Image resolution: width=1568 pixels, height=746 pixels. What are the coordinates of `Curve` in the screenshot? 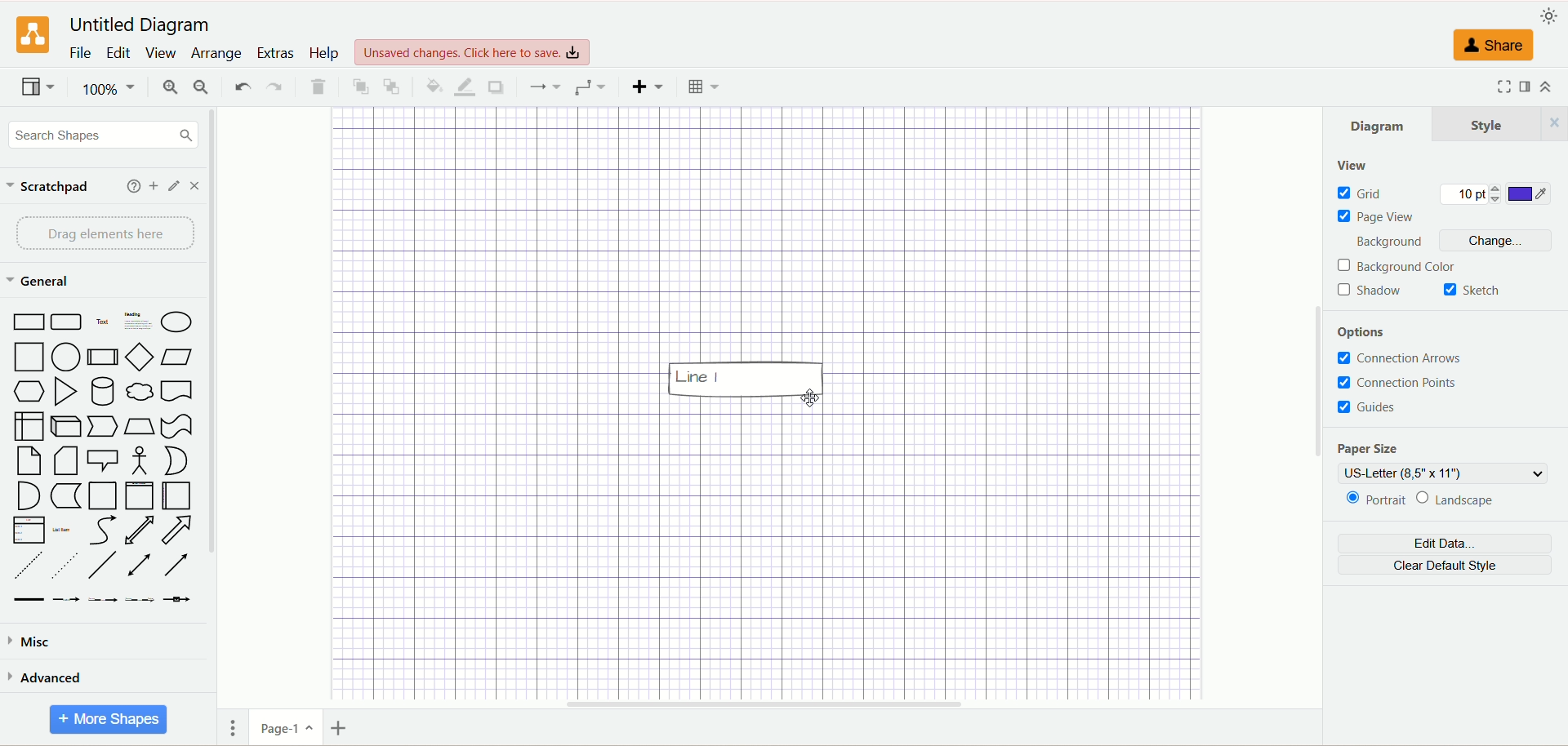 It's located at (102, 531).